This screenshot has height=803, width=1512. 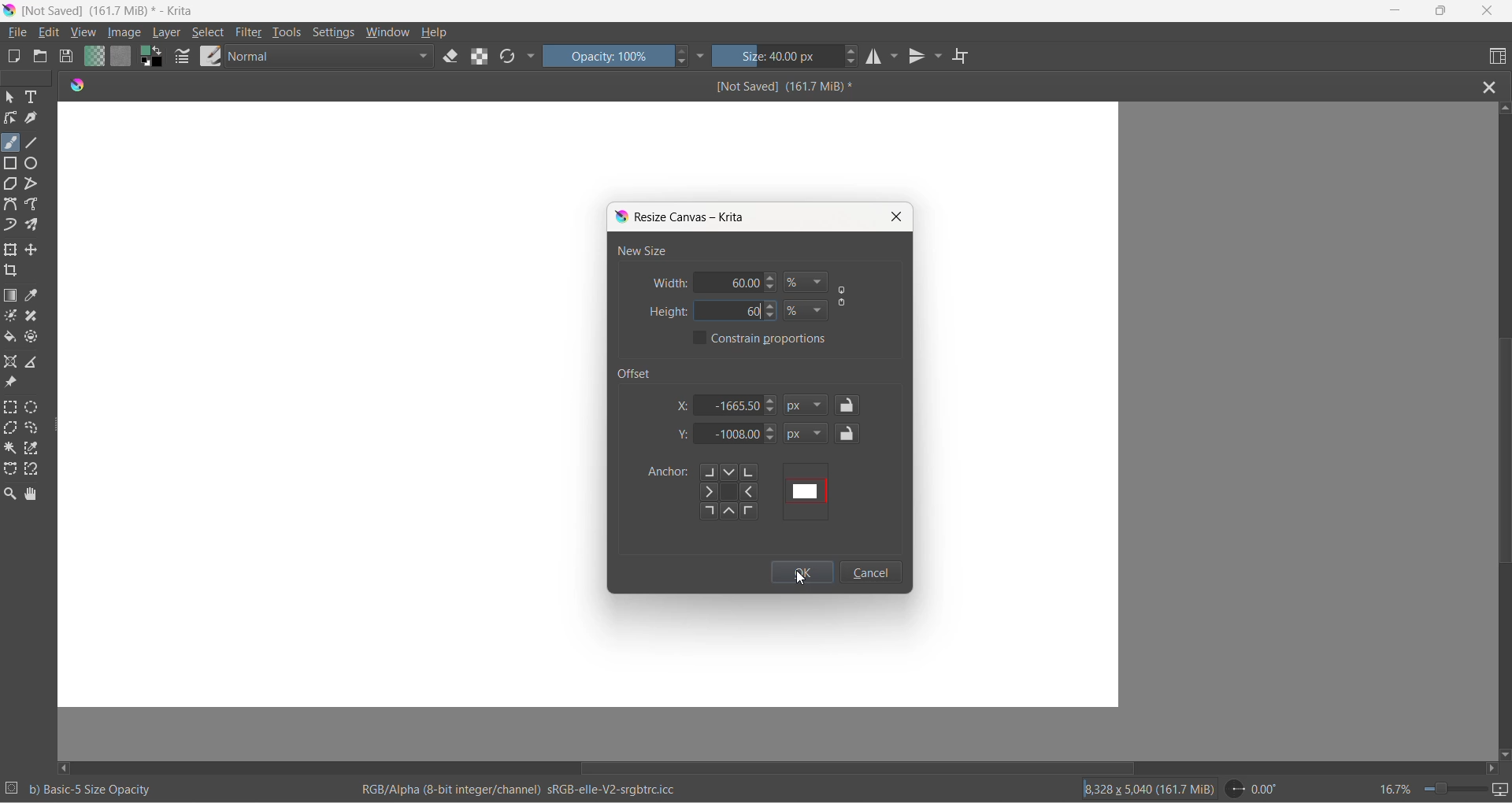 What do you see at coordinates (250, 35) in the screenshot?
I see `filter` at bounding box center [250, 35].